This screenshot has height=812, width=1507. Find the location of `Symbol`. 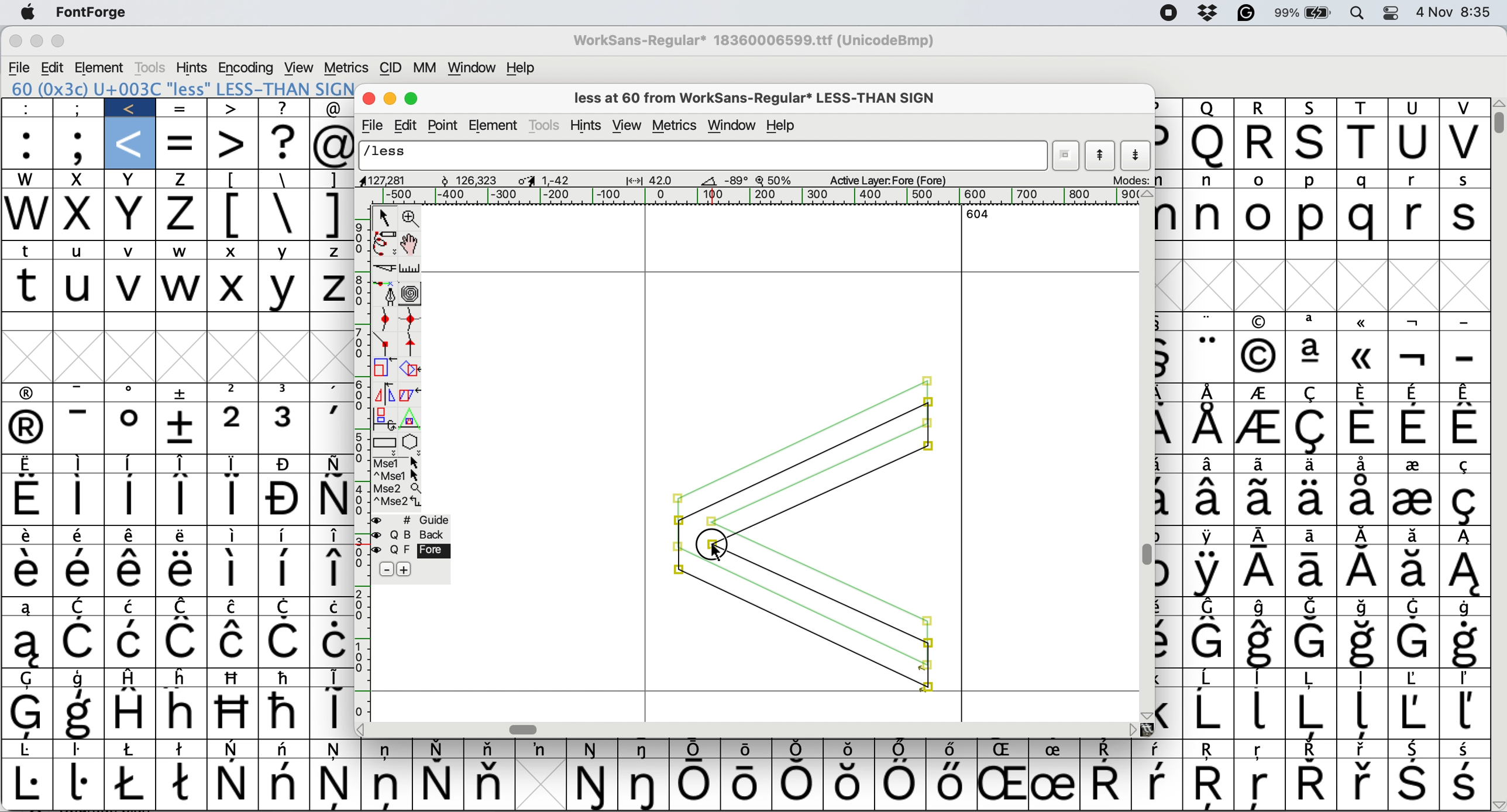

Symbol is located at coordinates (1209, 321).